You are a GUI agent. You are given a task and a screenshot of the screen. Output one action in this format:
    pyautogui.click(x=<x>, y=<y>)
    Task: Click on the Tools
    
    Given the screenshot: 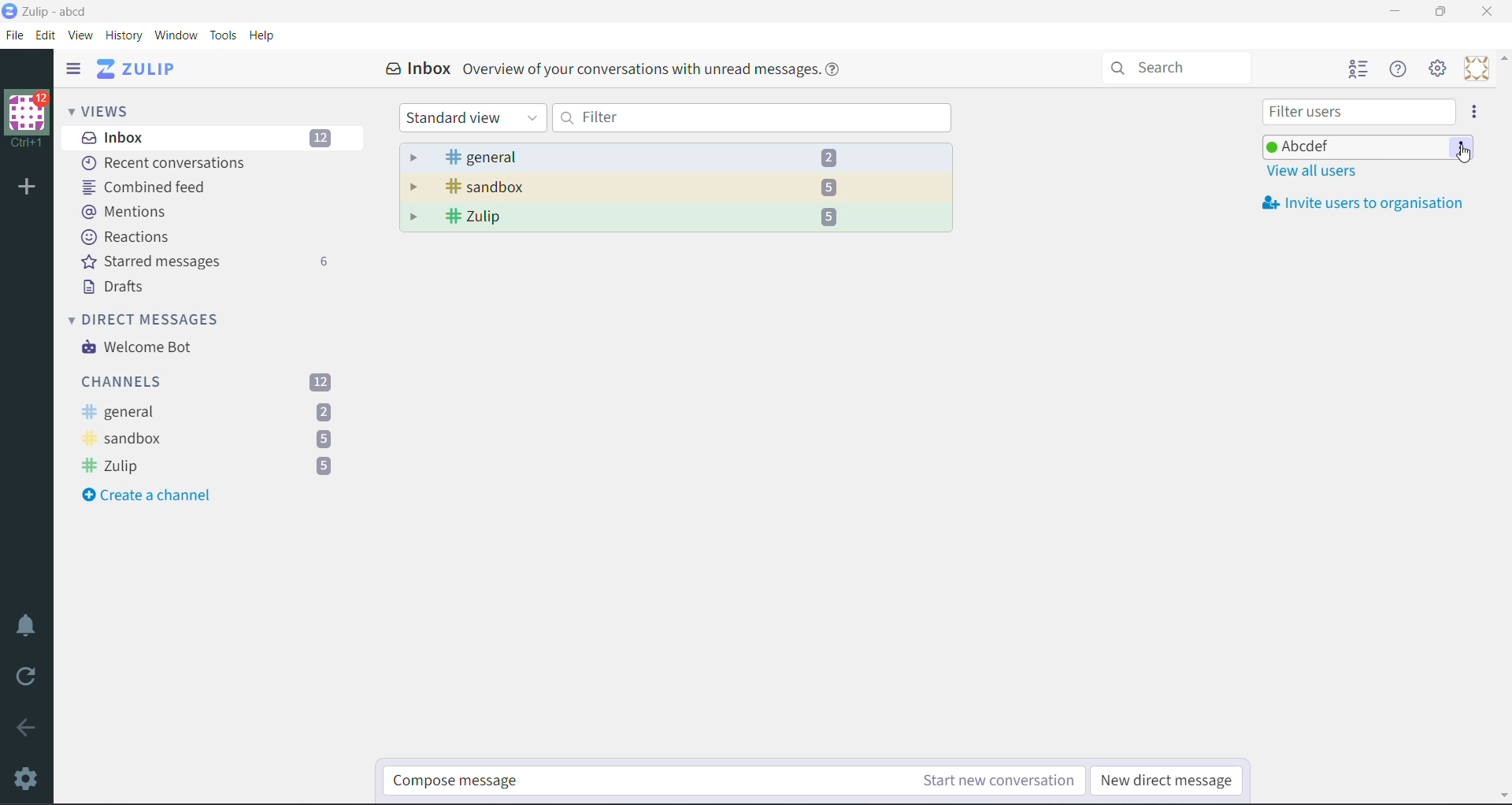 What is the action you would take?
    pyautogui.click(x=224, y=35)
    